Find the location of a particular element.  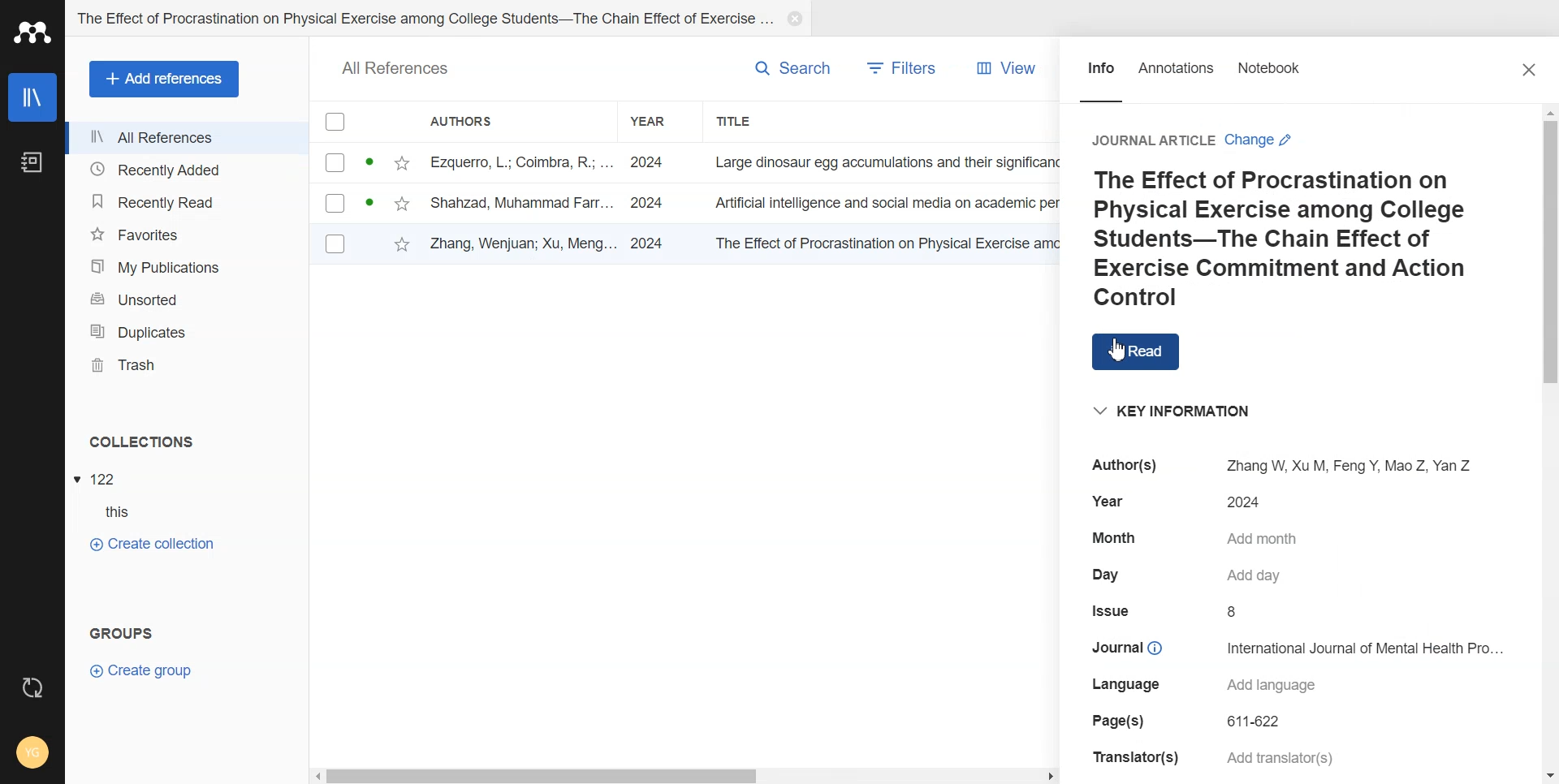

Vertical scroll bar is located at coordinates (1549, 442).